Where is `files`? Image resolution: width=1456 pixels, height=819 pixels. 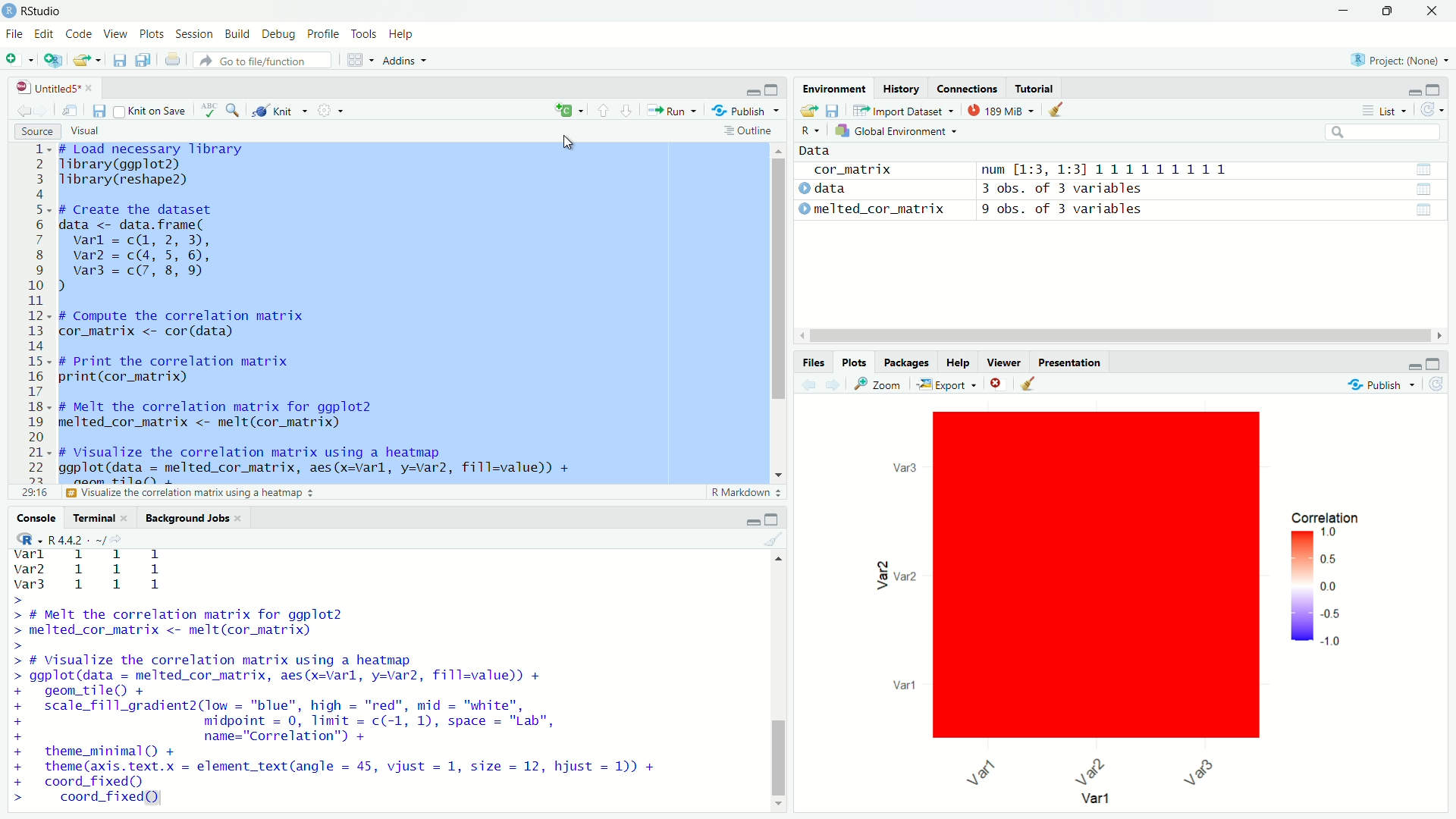 files is located at coordinates (815, 362).